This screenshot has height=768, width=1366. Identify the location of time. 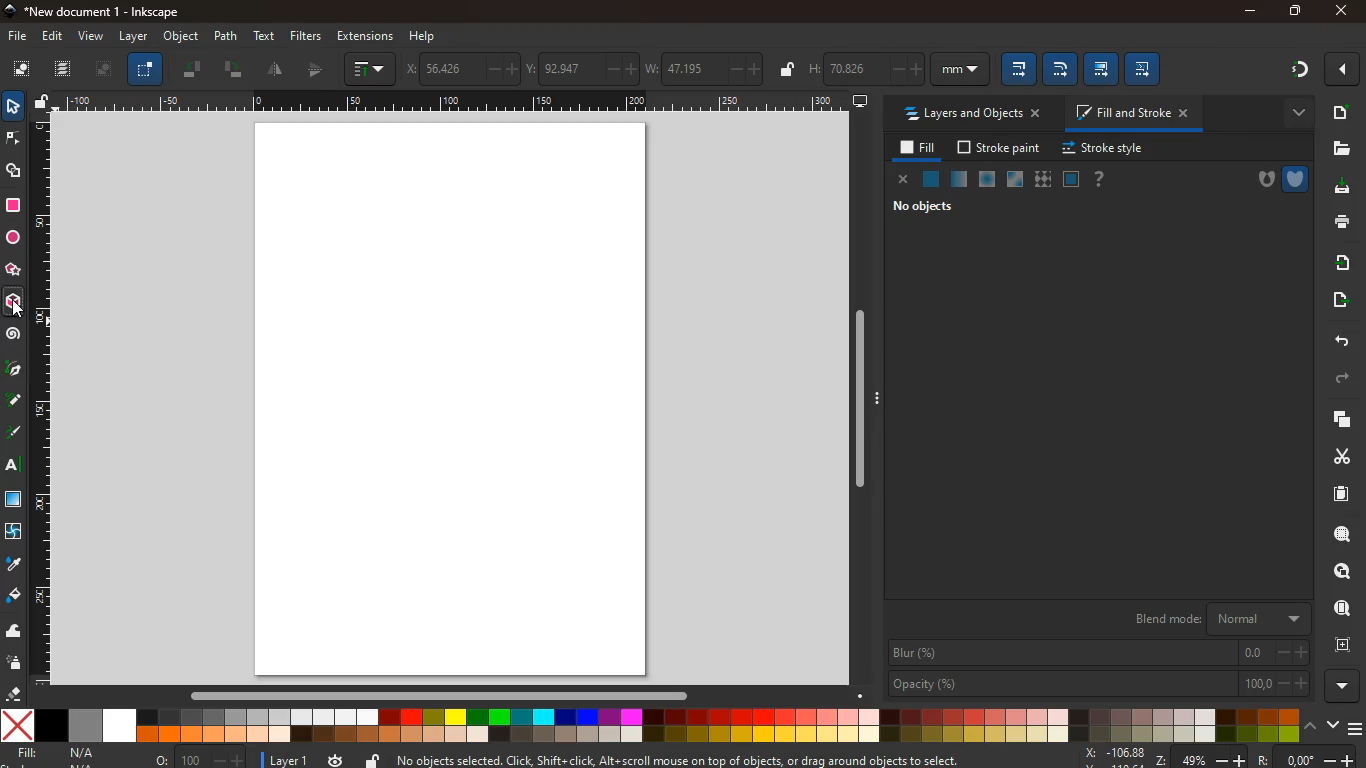
(334, 760).